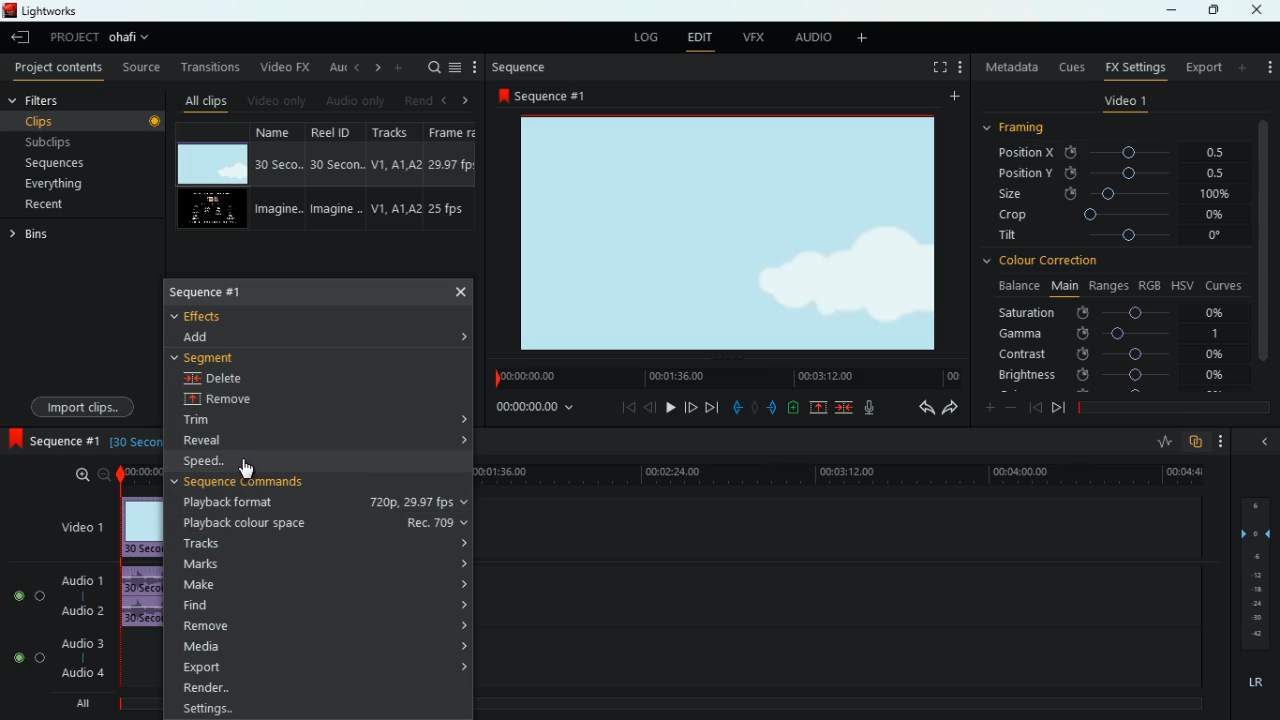 This screenshot has width=1280, height=720. What do you see at coordinates (1182, 285) in the screenshot?
I see `hsv` at bounding box center [1182, 285].